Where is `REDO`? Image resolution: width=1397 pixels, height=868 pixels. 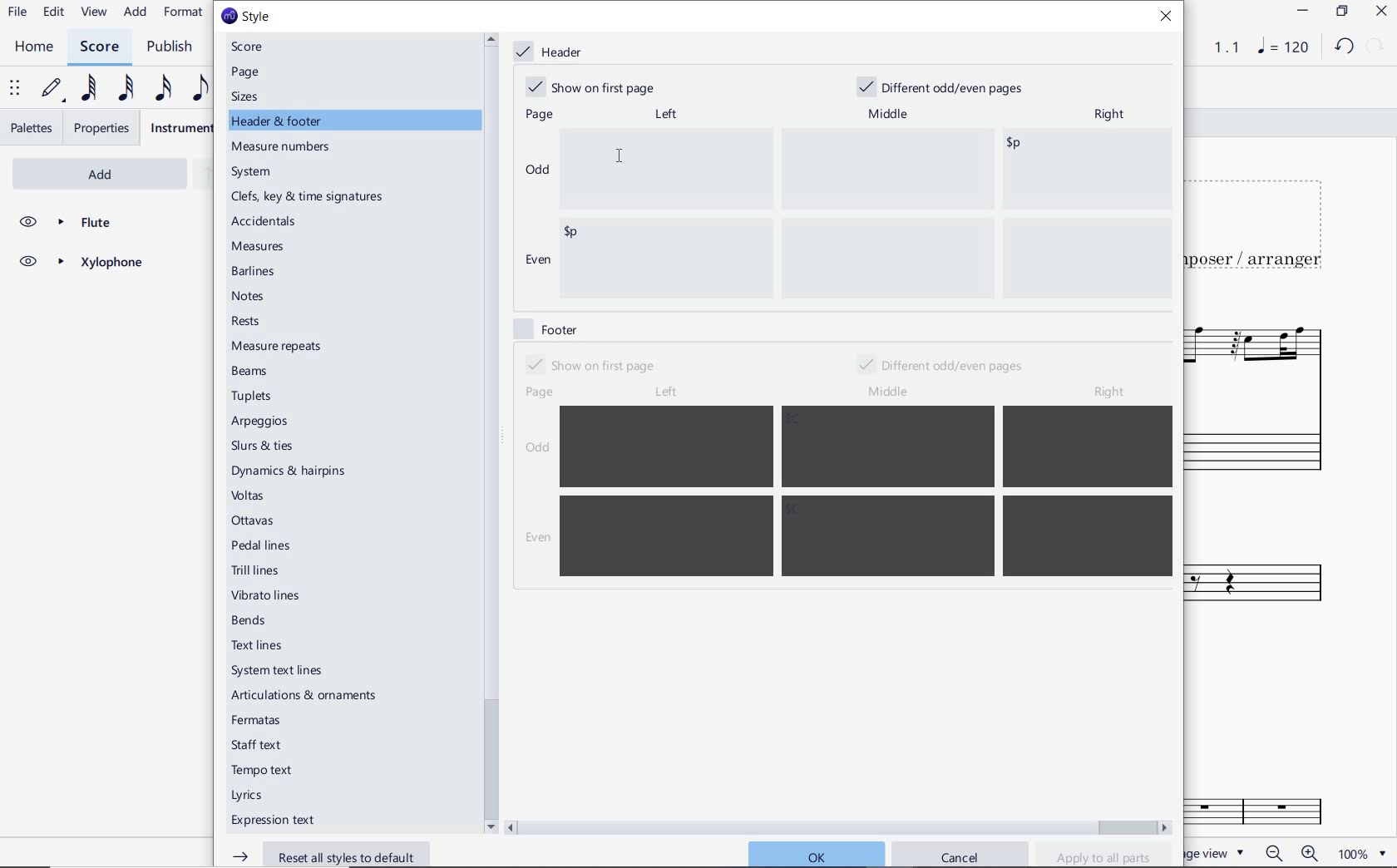 REDO is located at coordinates (1375, 47).